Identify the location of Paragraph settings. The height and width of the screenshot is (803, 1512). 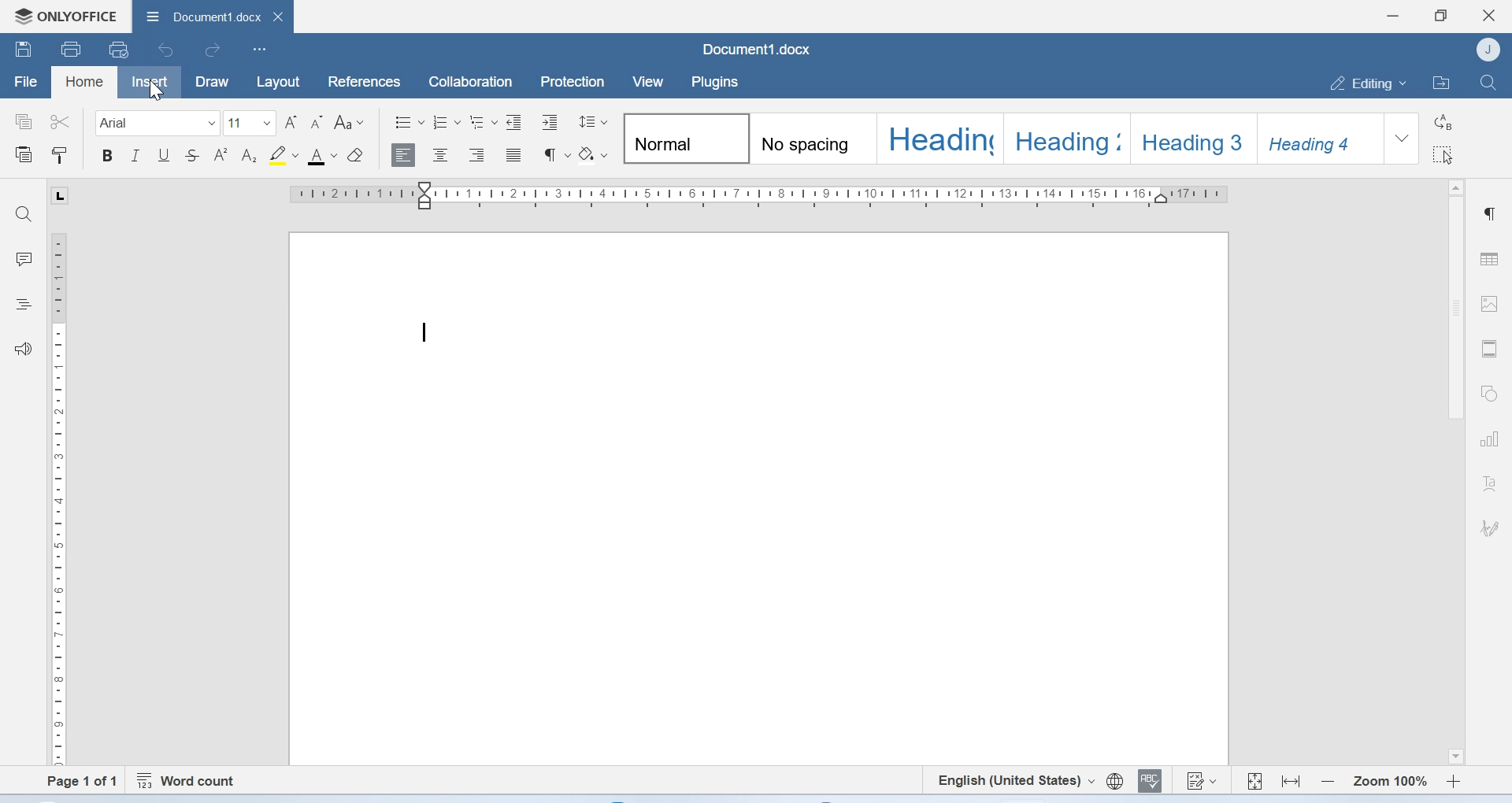
(554, 156).